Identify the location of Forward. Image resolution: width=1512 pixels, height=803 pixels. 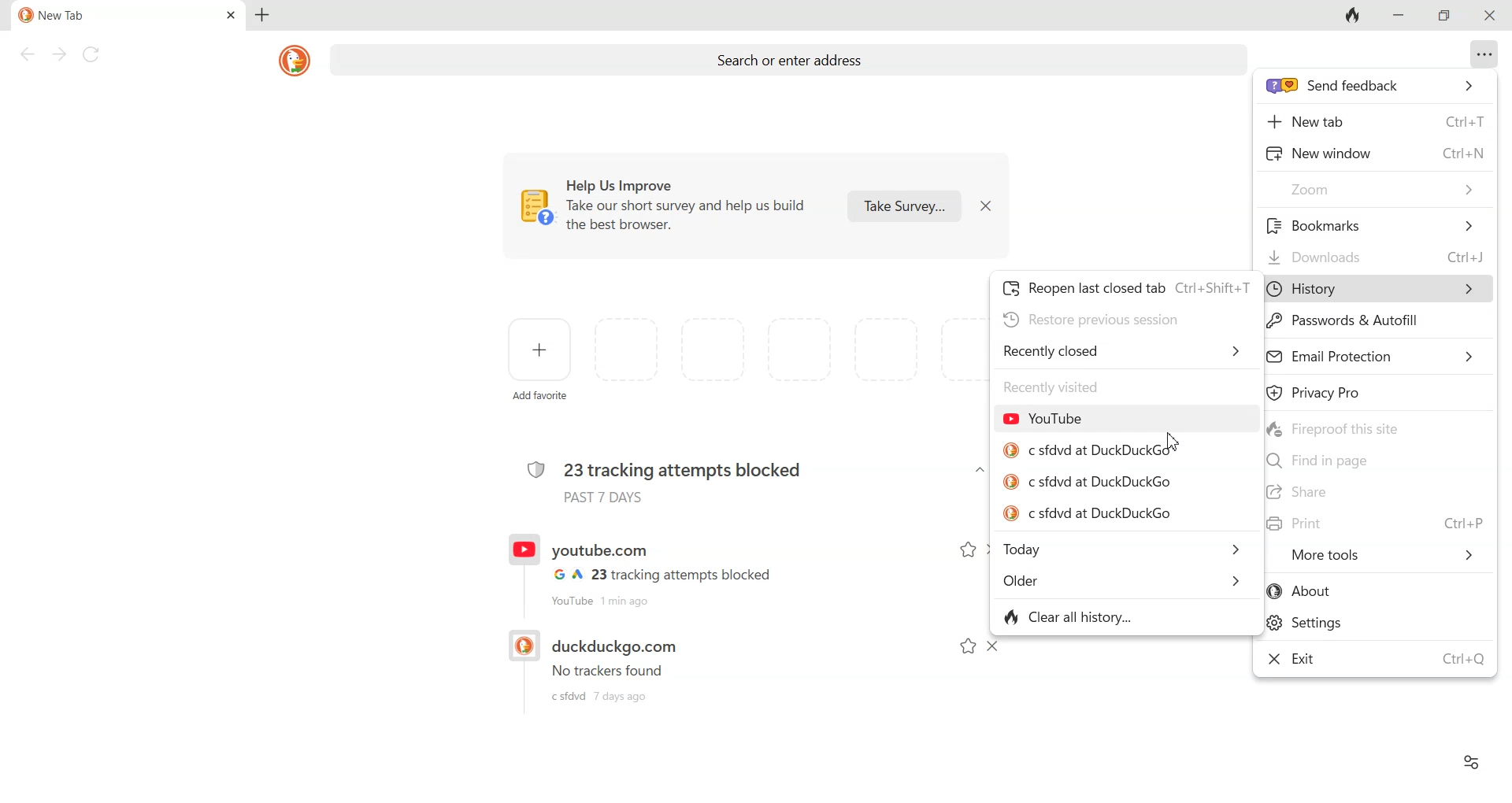
(57, 54).